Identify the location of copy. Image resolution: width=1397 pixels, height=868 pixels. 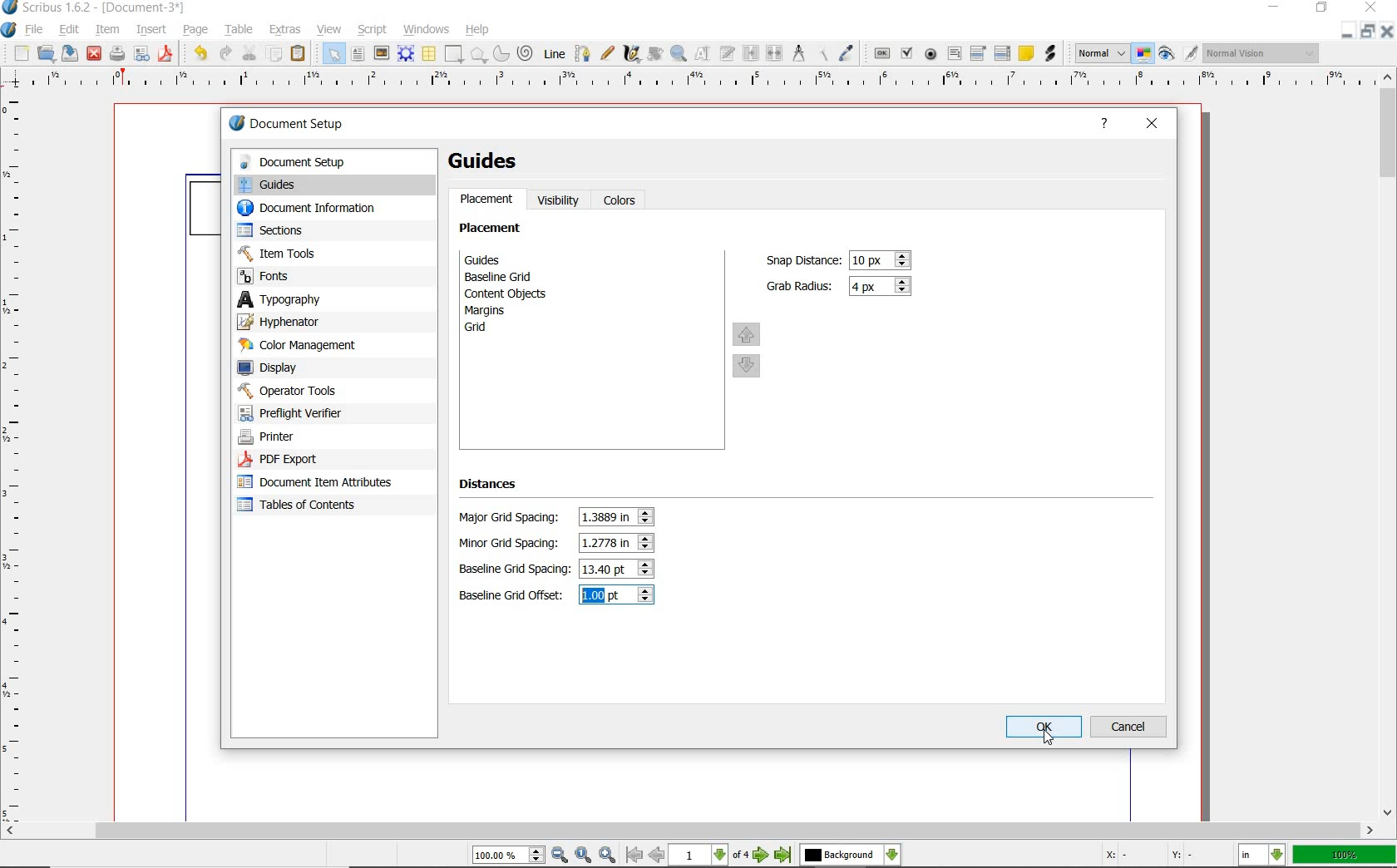
(274, 56).